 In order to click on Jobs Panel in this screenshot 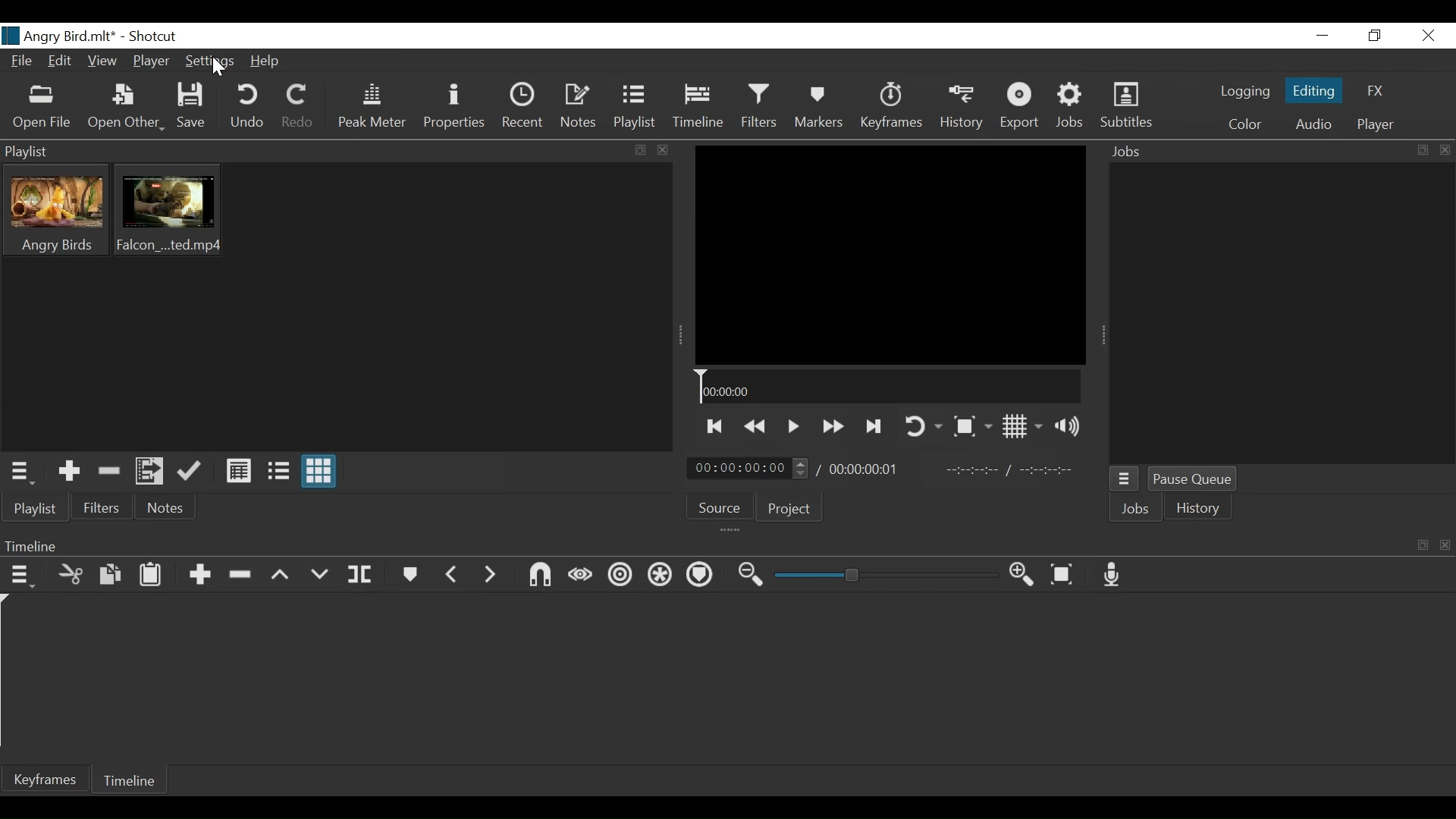, I will do `click(1282, 315)`.